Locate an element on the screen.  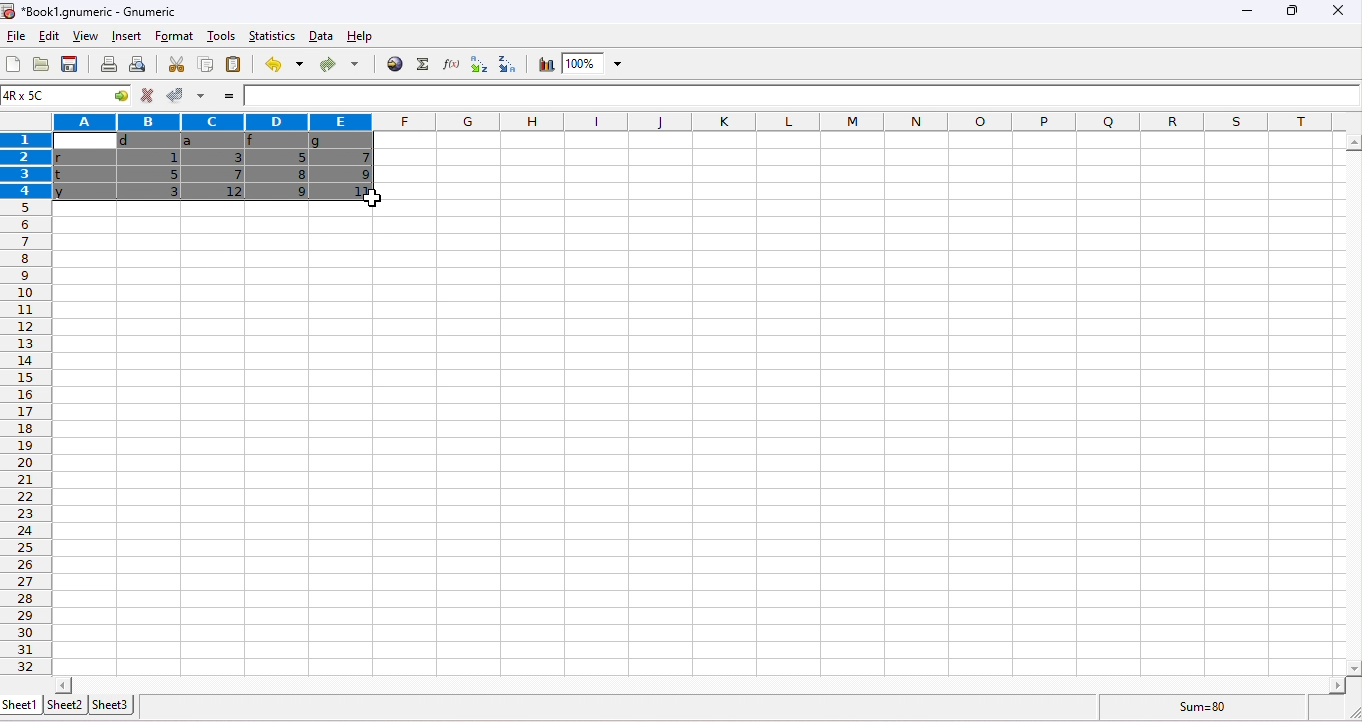
Book1.gnumeric - Gnumeric is located at coordinates (92, 11).